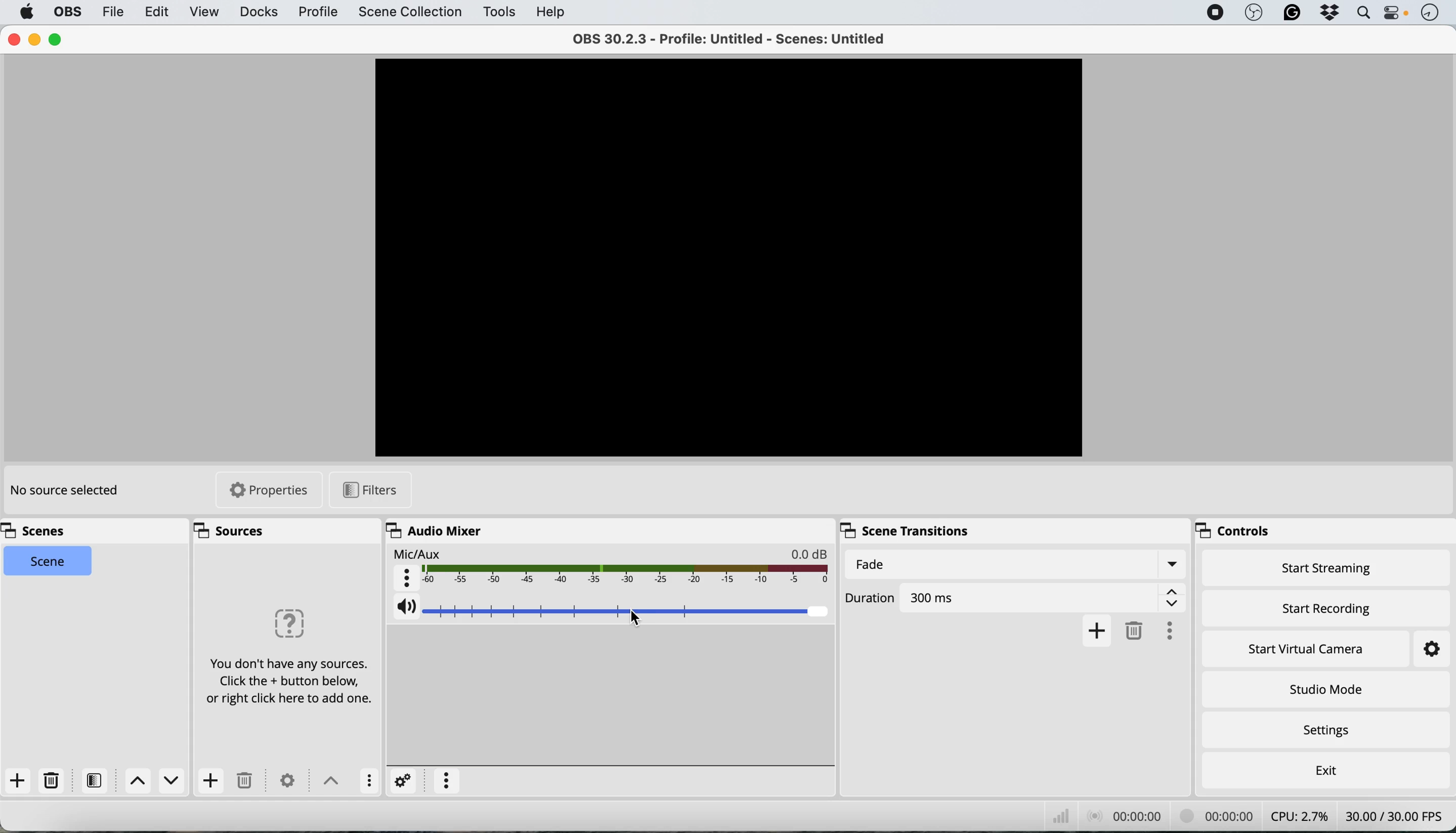  I want to click on start streaming, so click(1324, 569).